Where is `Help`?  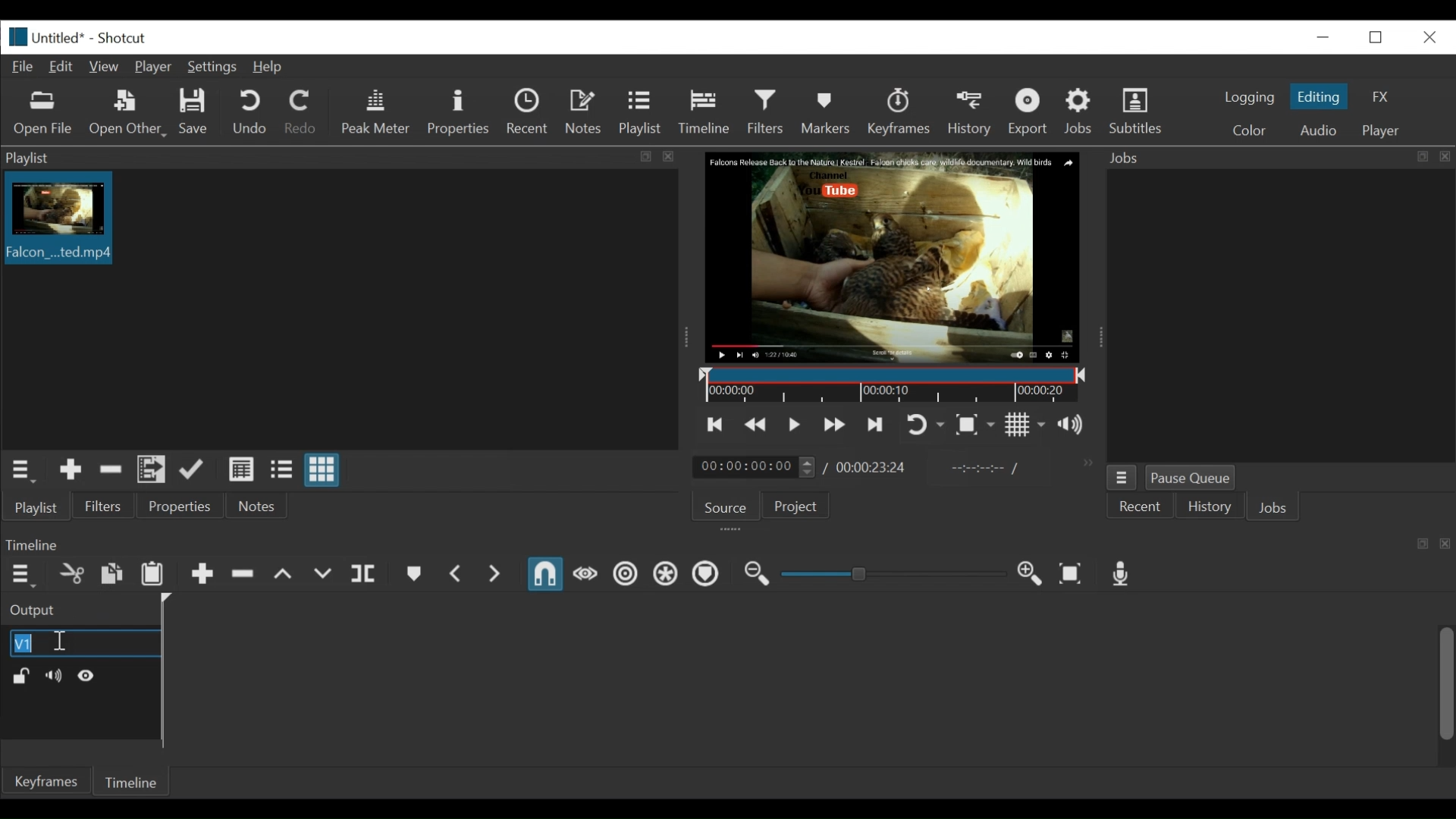
Help is located at coordinates (268, 66).